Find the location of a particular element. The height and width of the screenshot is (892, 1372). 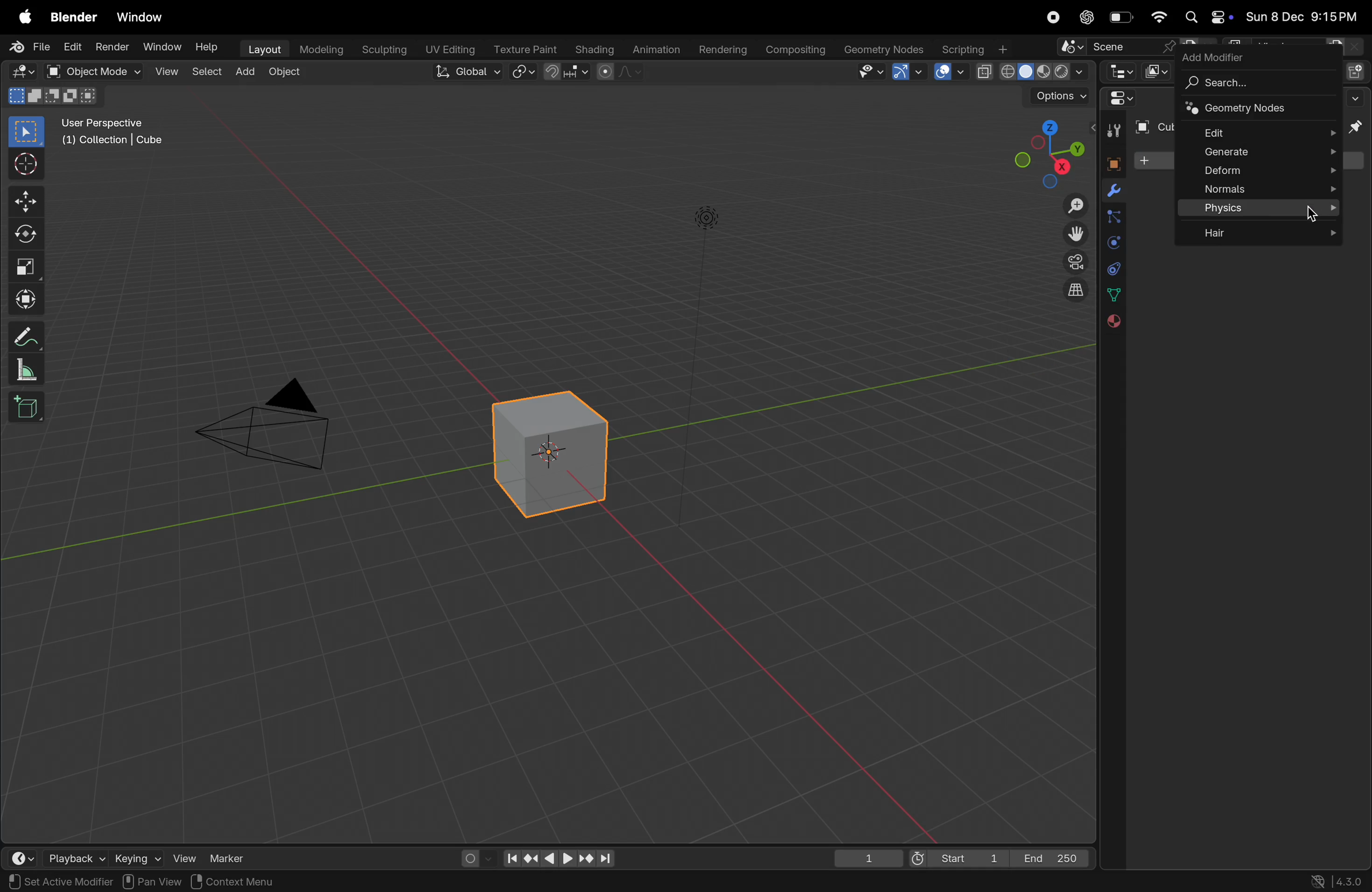

date and time is located at coordinates (1302, 18).